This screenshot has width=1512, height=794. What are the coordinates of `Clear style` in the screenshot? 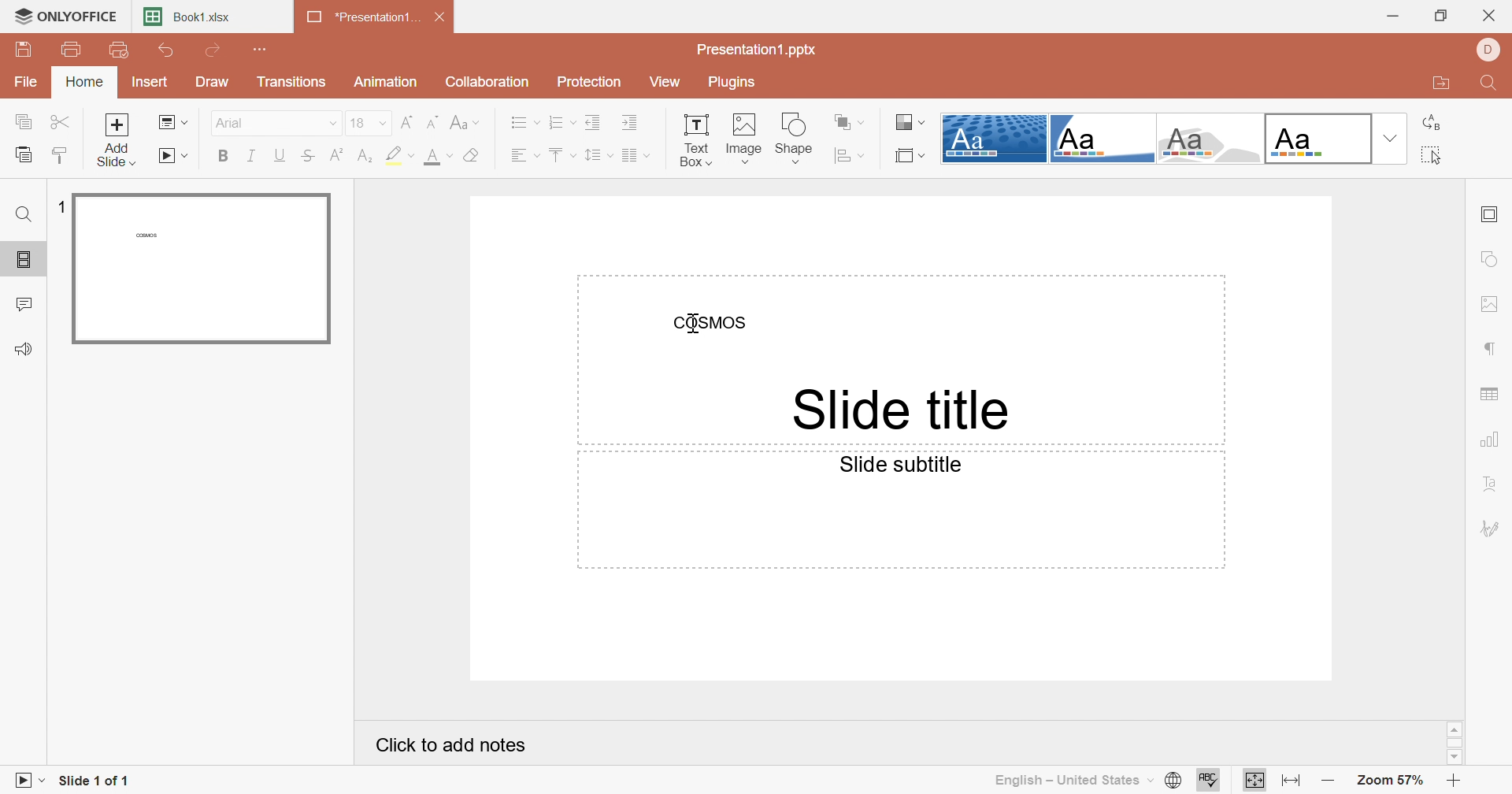 It's located at (472, 157).